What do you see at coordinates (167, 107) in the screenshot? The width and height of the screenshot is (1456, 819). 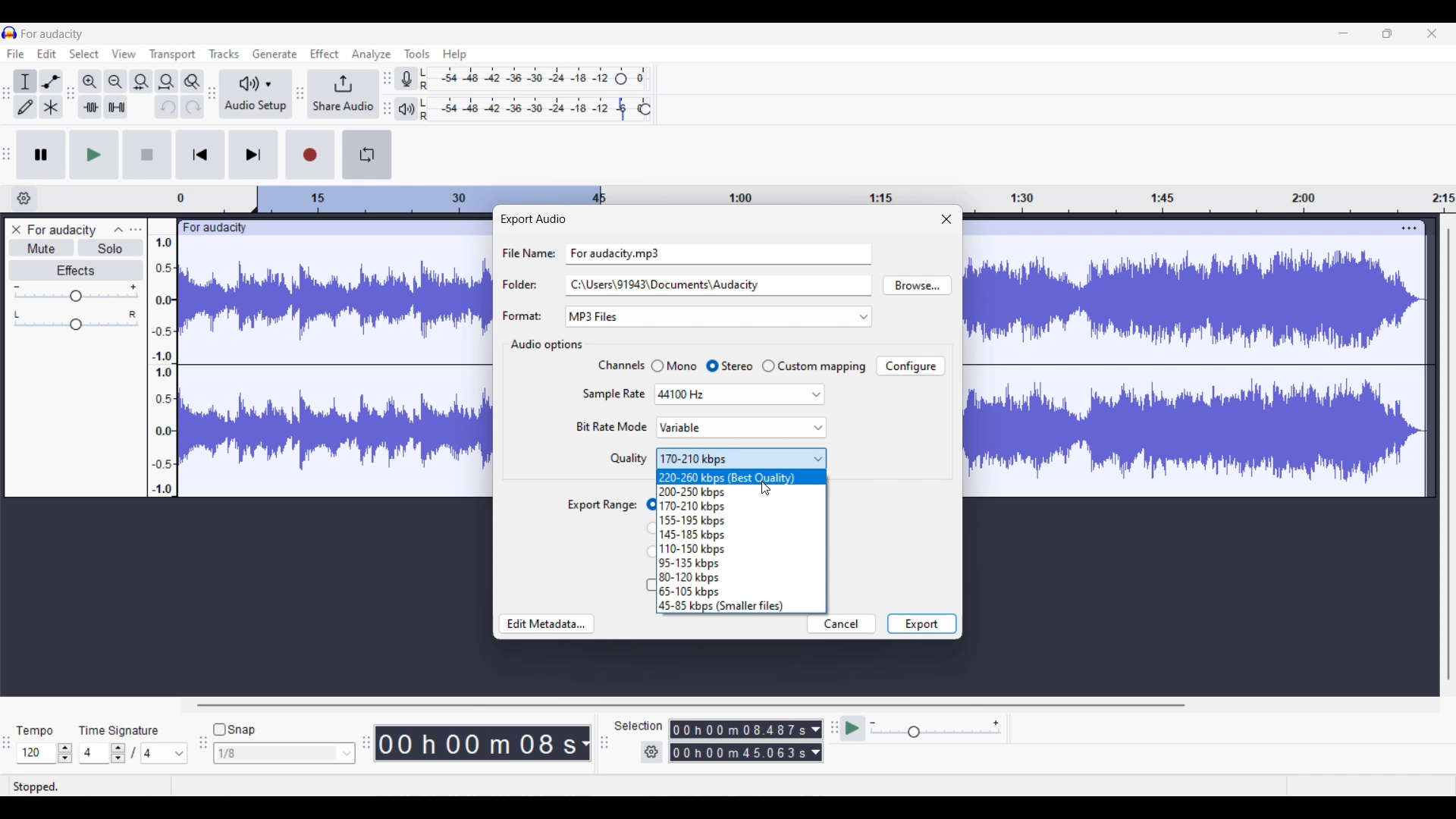 I see `Undo` at bounding box center [167, 107].